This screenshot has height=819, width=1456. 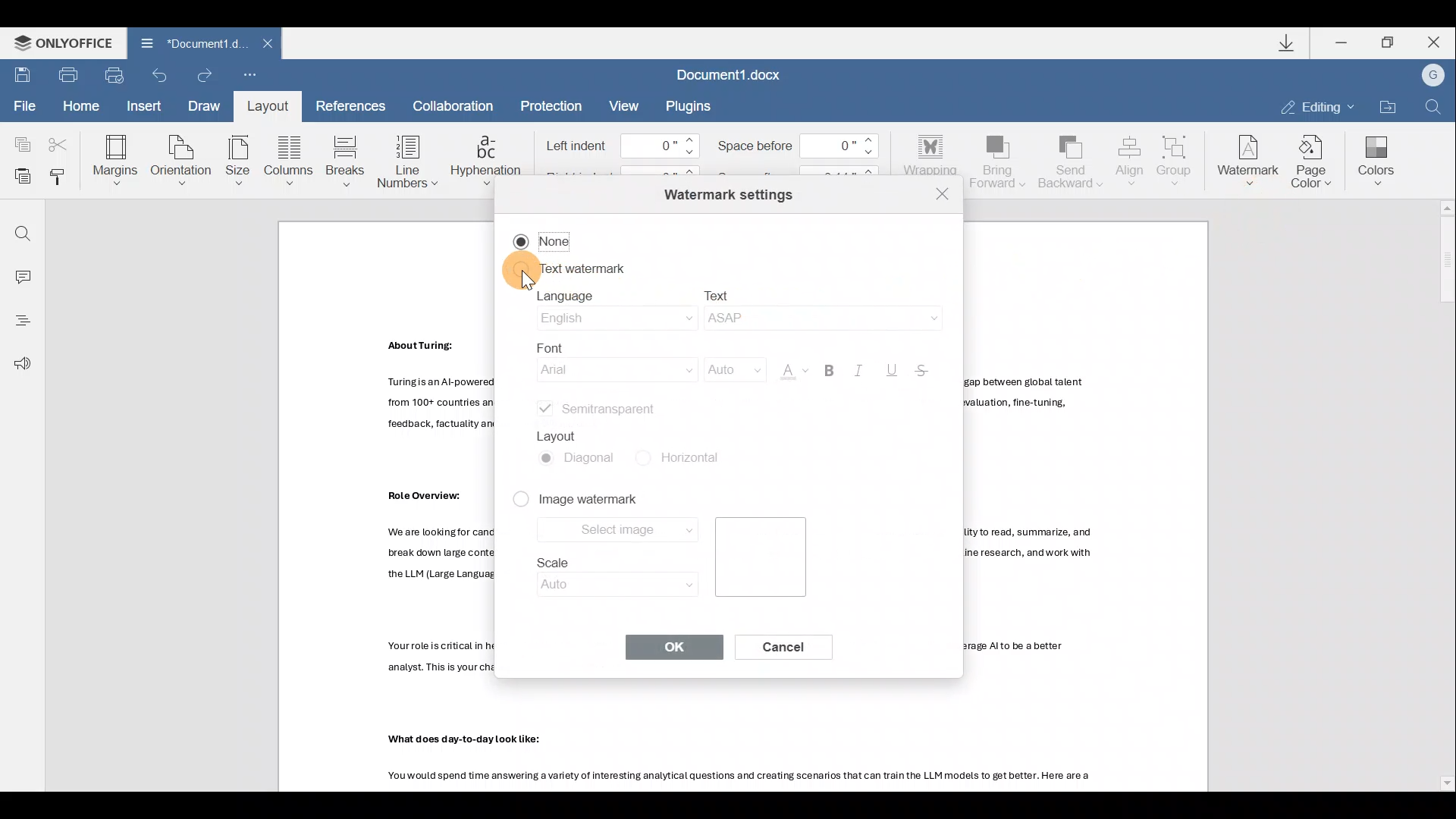 What do you see at coordinates (238, 159) in the screenshot?
I see `Size` at bounding box center [238, 159].